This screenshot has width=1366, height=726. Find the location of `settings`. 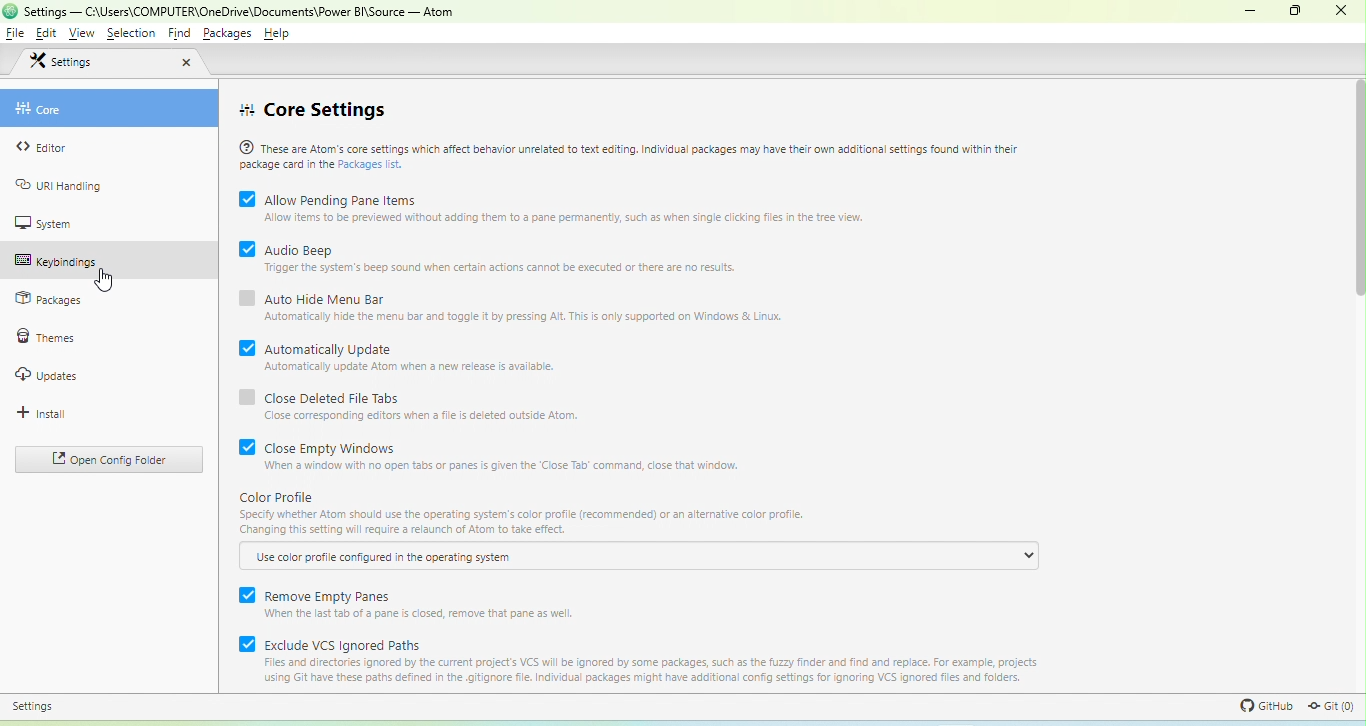

settings is located at coordinates (62, 62).